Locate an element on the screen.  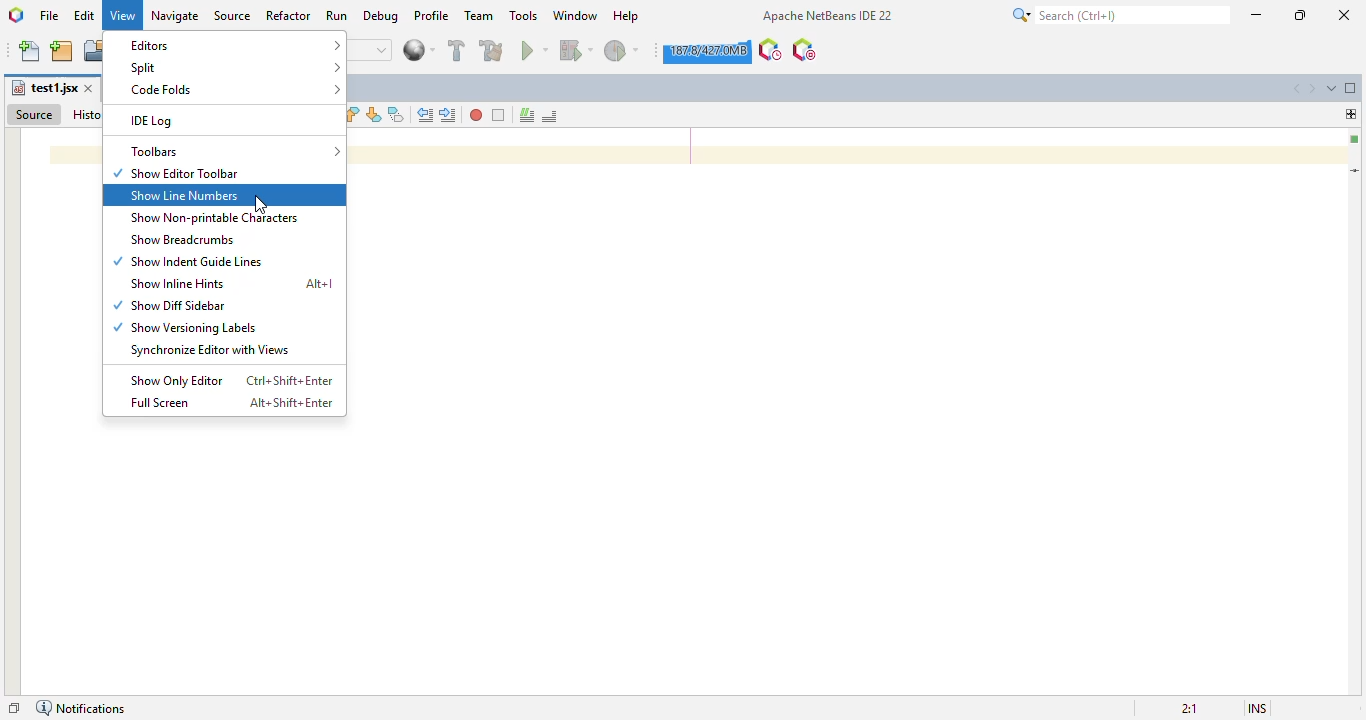
scroll documents left is located at coordinates (1296, 89).